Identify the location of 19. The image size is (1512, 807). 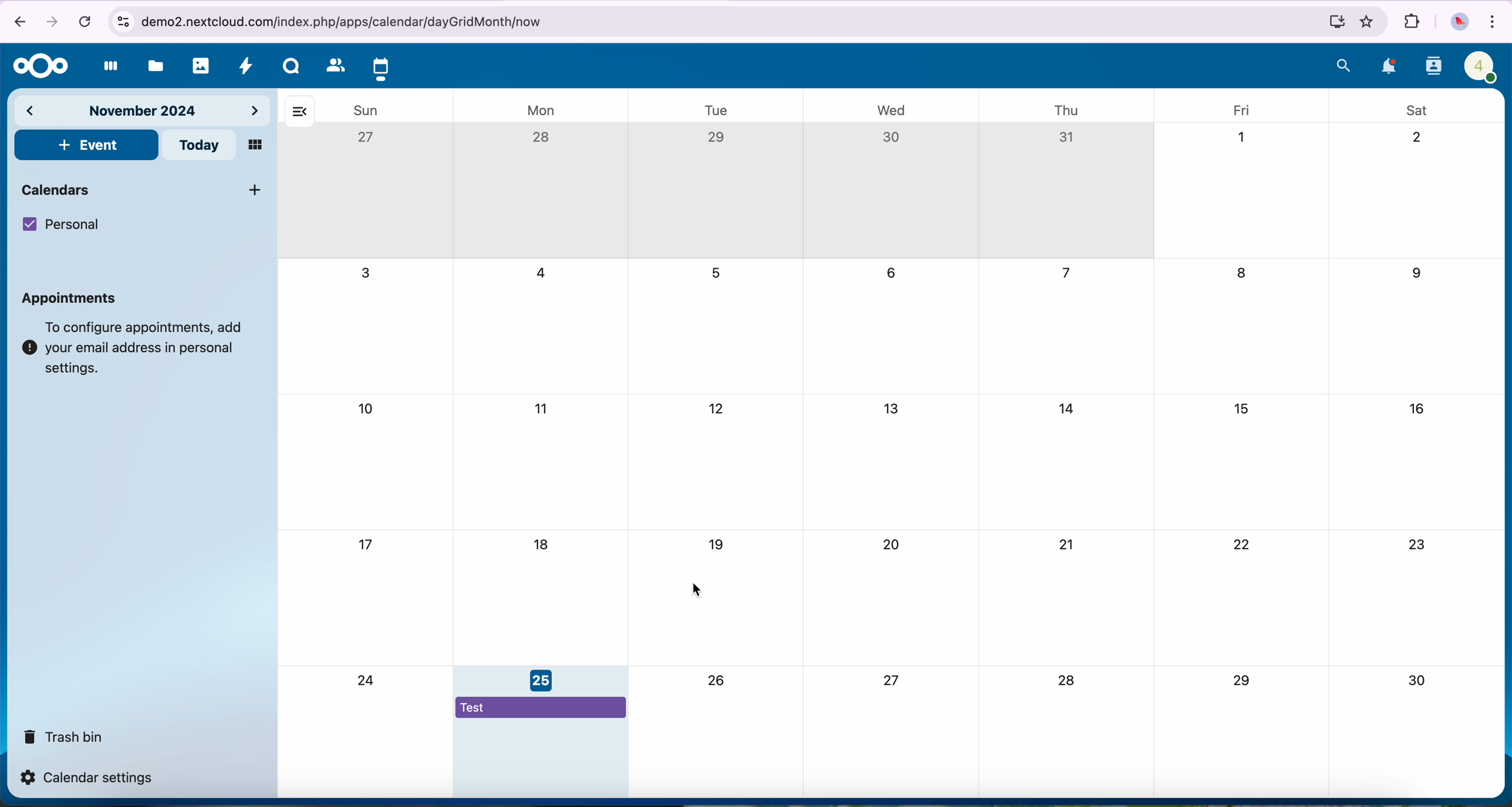
(719, 545).